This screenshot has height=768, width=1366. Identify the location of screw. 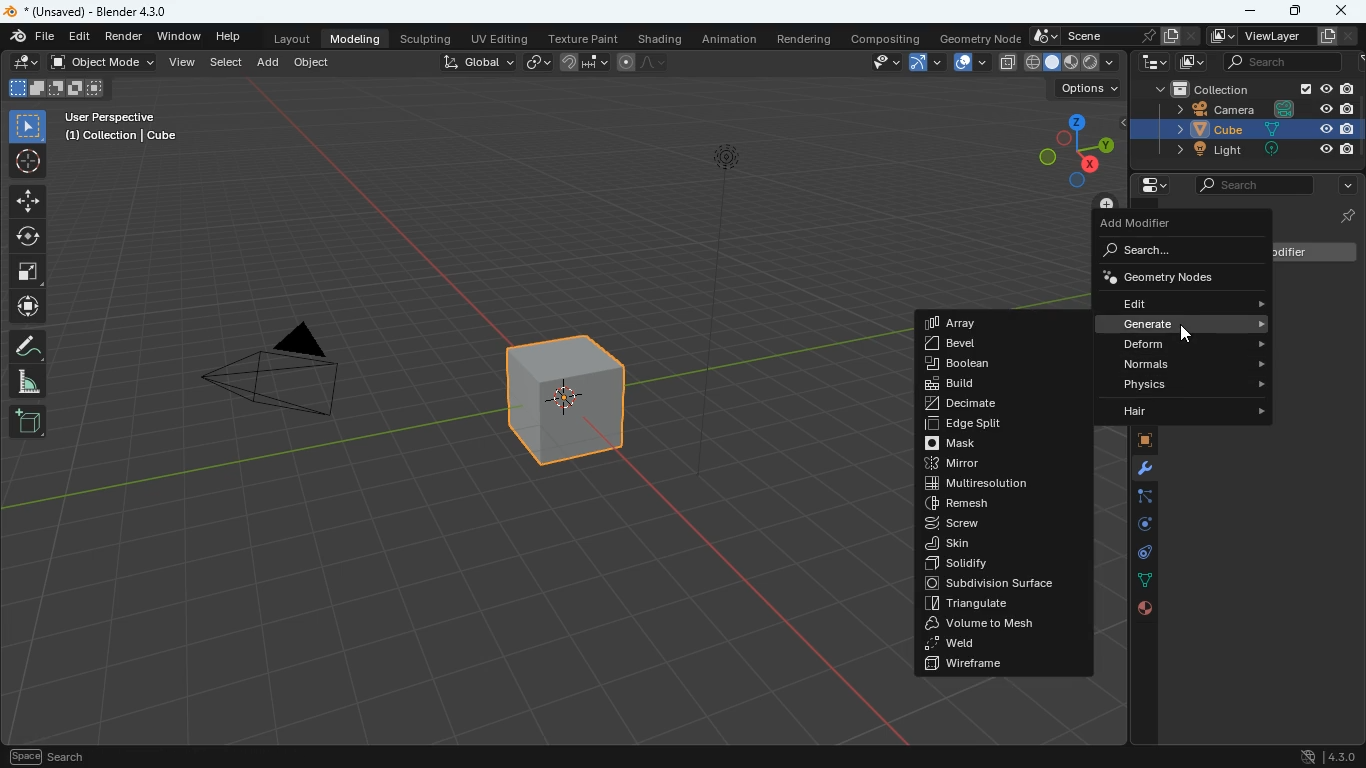
(997, 523).